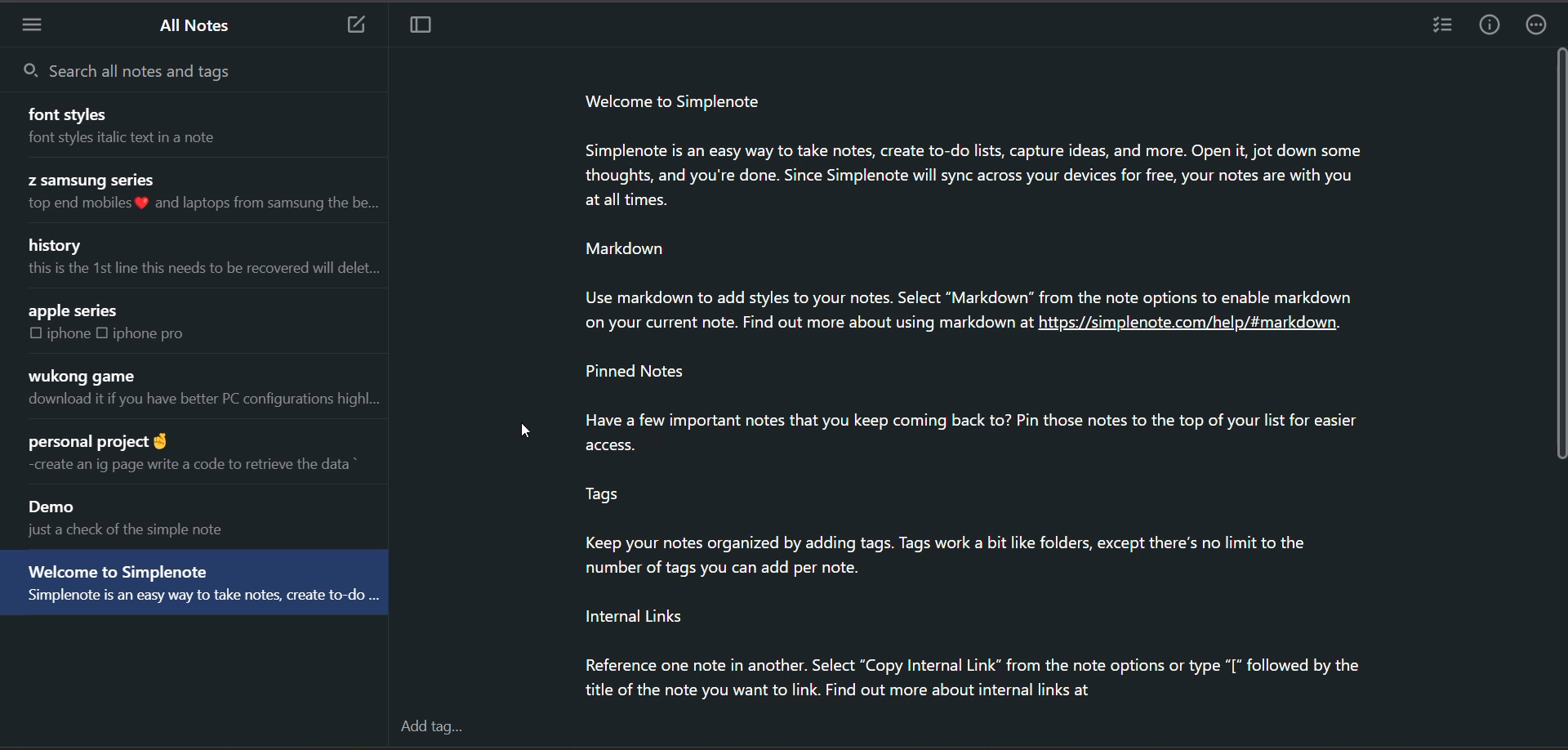 The image size is (1568, 750). What do you see at coordinates (1492, 25) in the screenshot?
I see `info` at bounding box center [1492, 25].